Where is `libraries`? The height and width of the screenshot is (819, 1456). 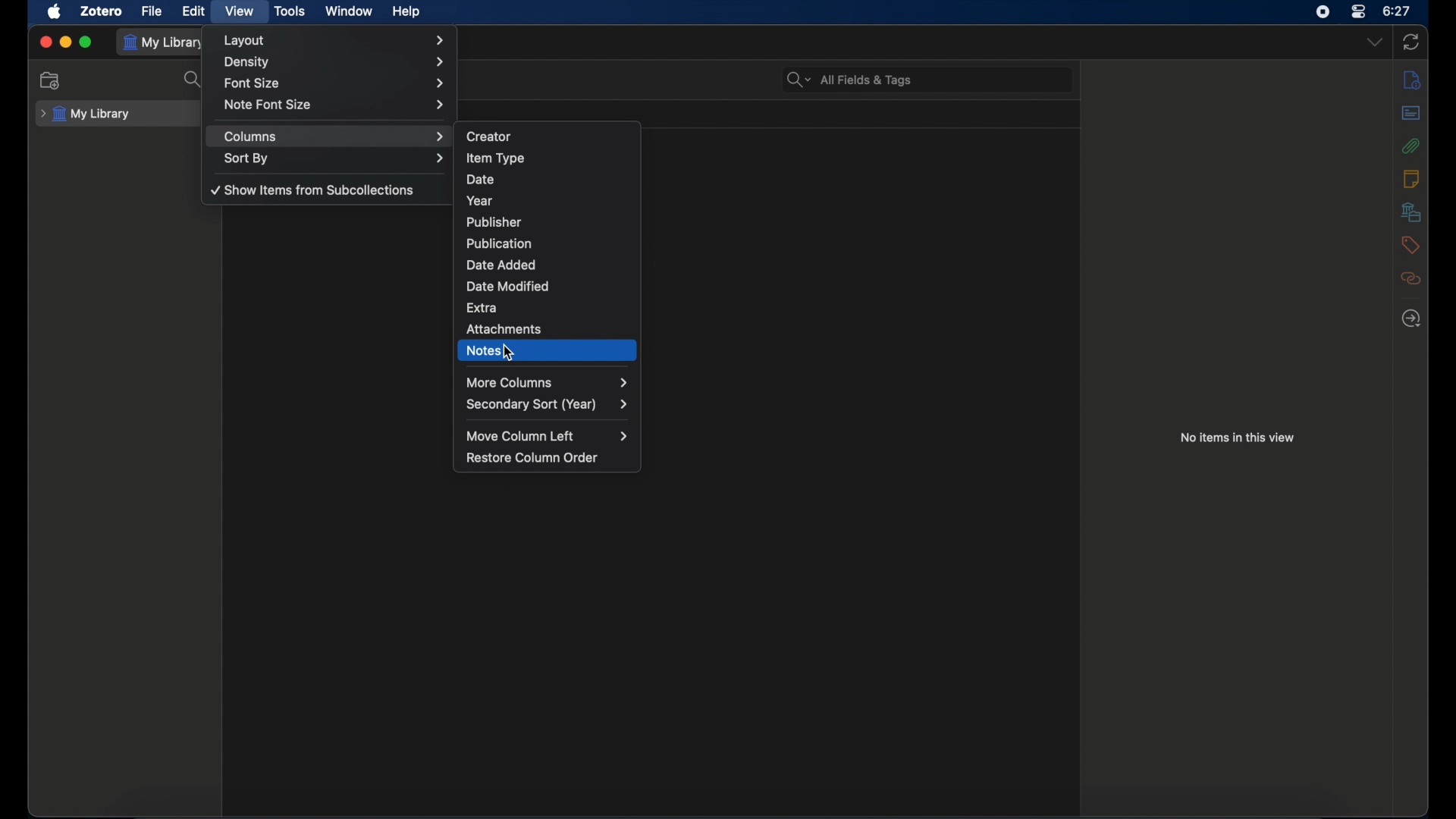 libraries is located at coordinates (1410, 212).